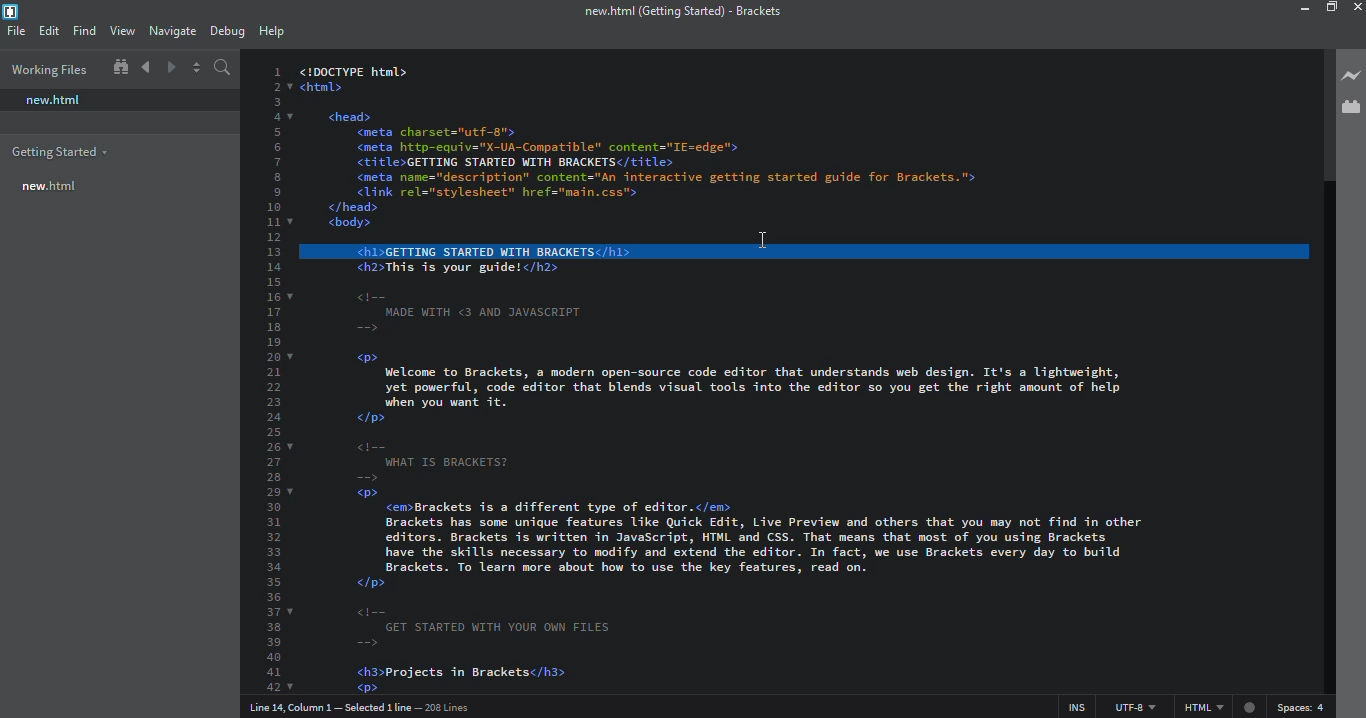  Describe the element at coordinates (365, 708) in the screenshot. I see `line number` at that location.